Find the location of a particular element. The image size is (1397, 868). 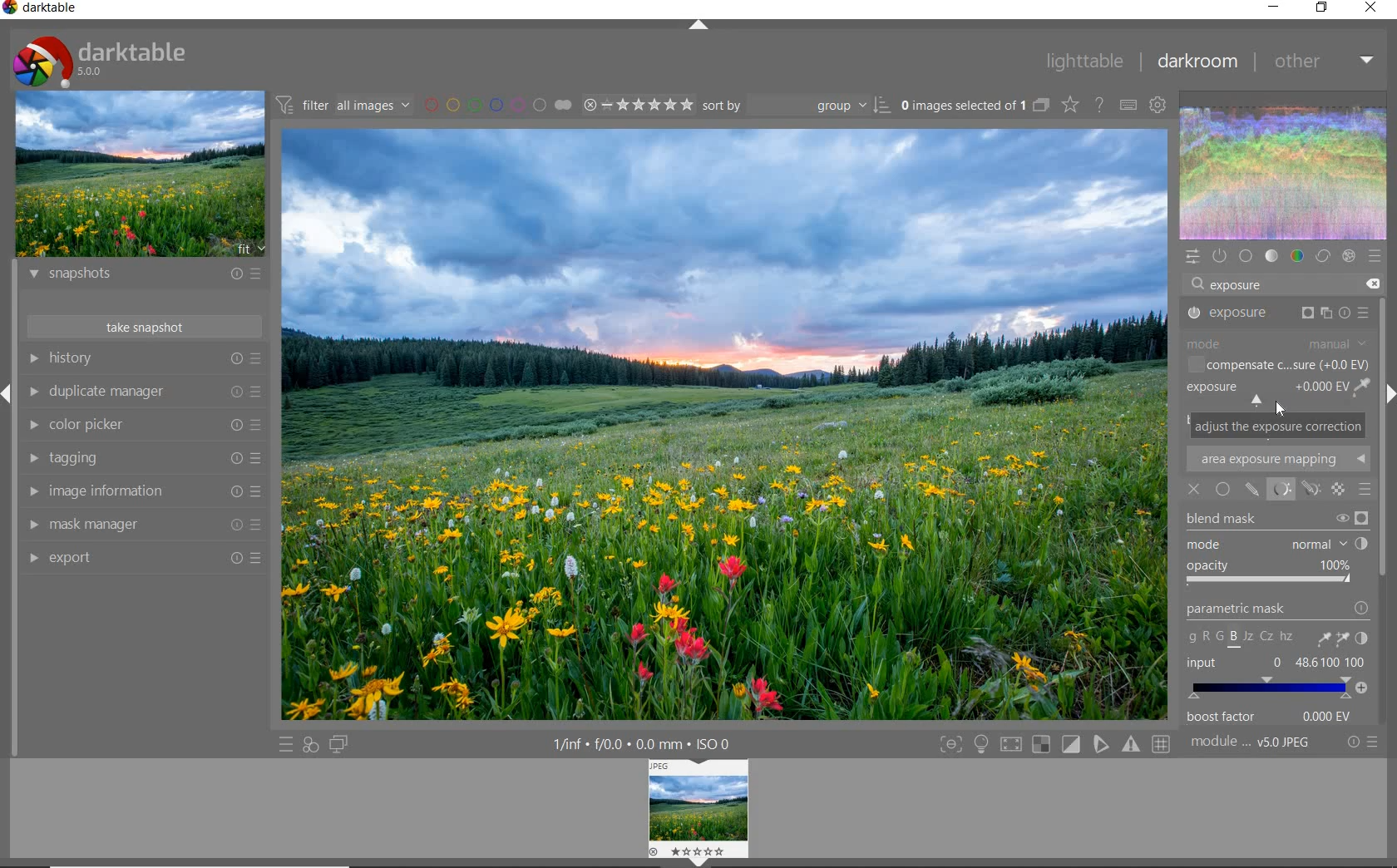

base is located at coordinates (1247, 256).